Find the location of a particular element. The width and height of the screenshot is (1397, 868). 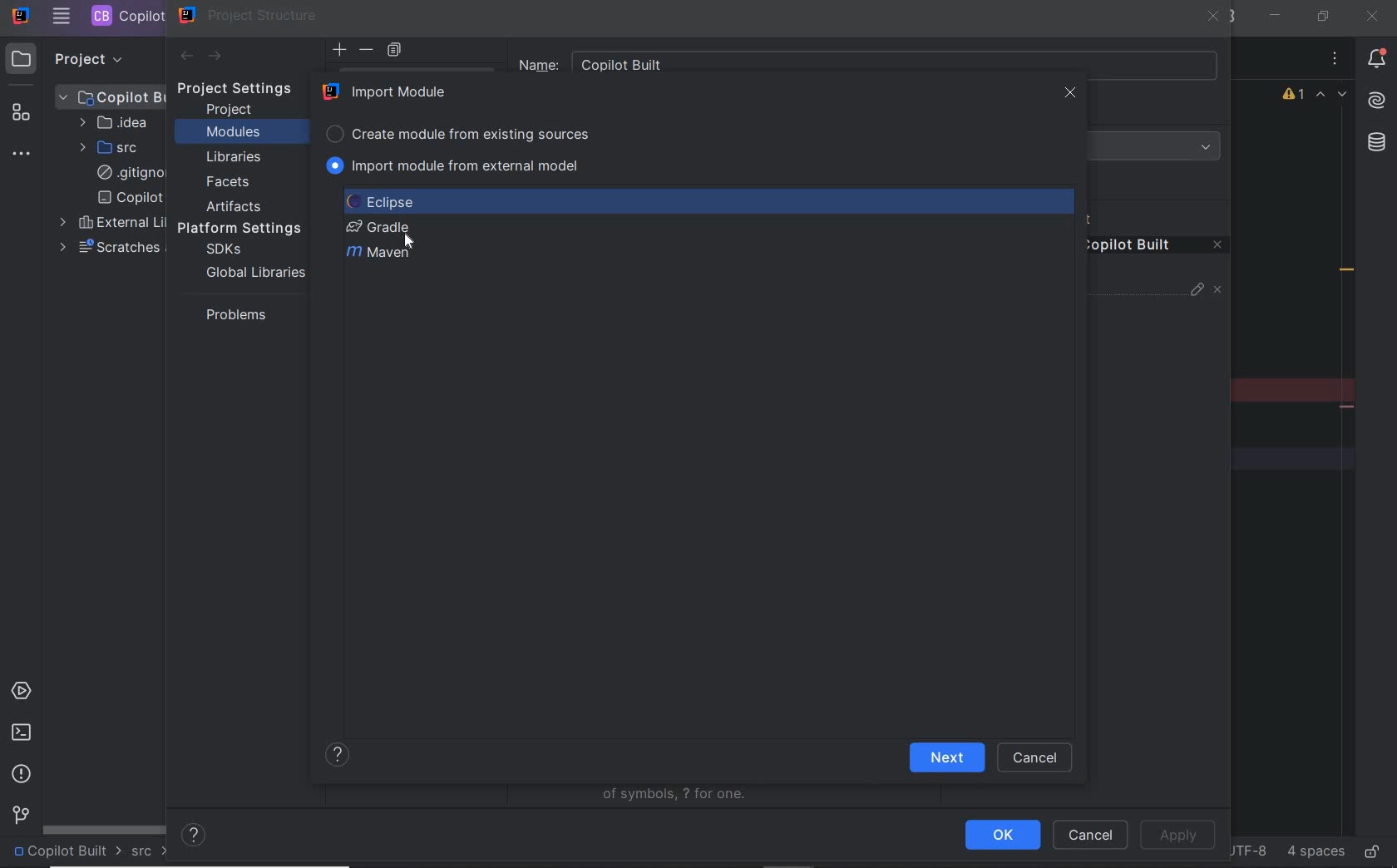

problems is located at coordinates (22, 774).